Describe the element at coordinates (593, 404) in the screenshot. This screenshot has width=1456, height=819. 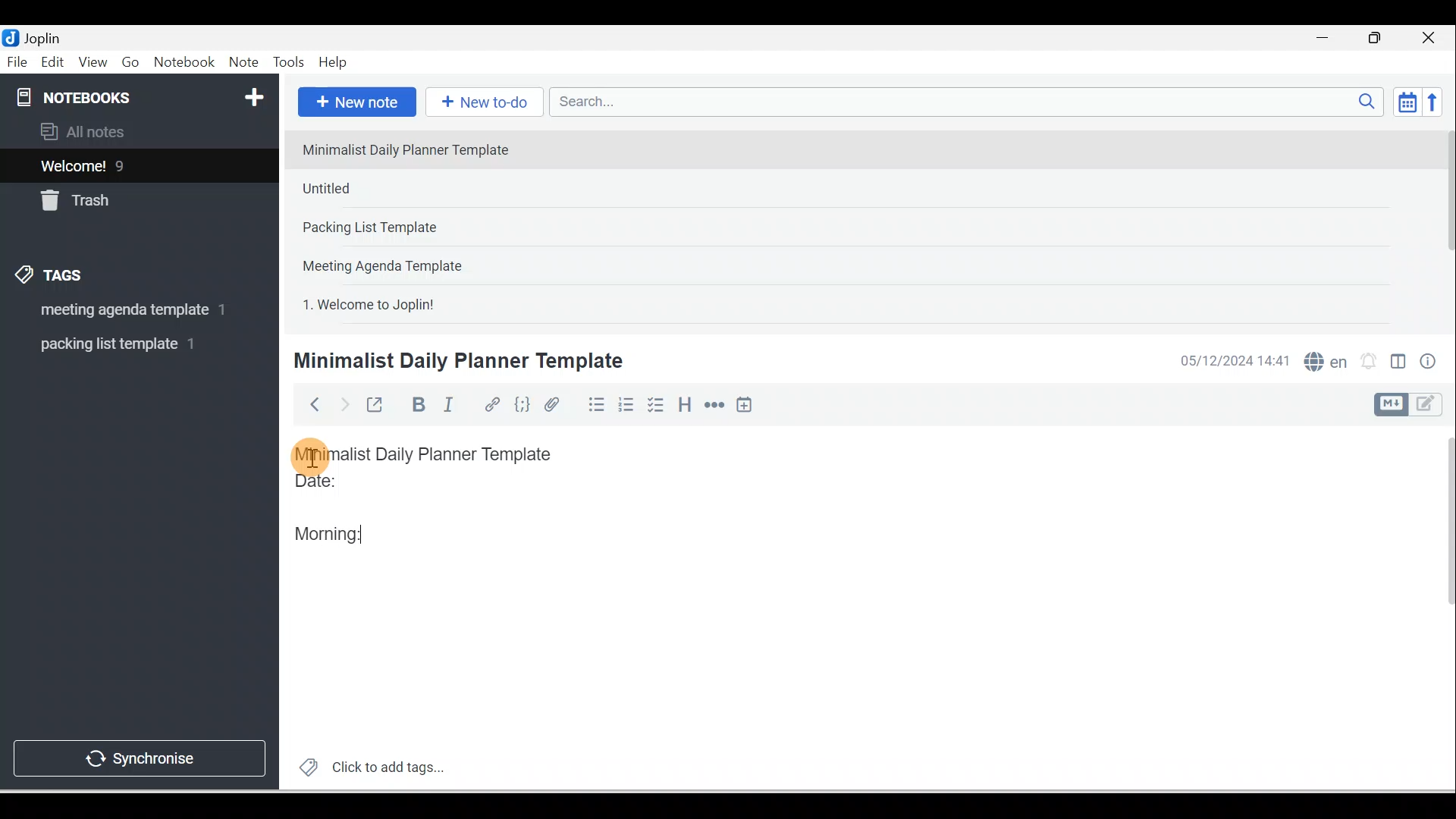
I see `Bulleted list` at that location.